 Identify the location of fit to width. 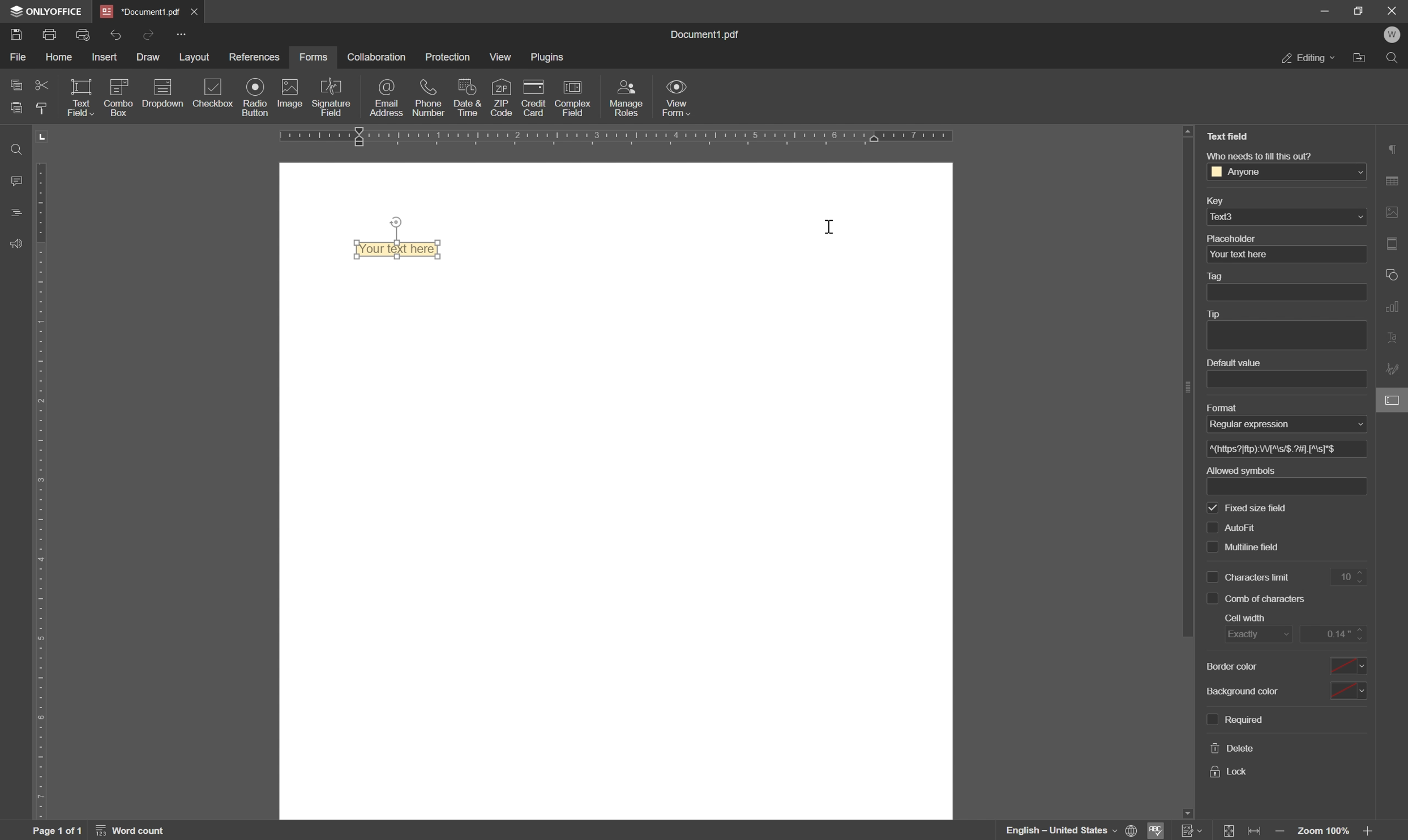
(1257, 832).